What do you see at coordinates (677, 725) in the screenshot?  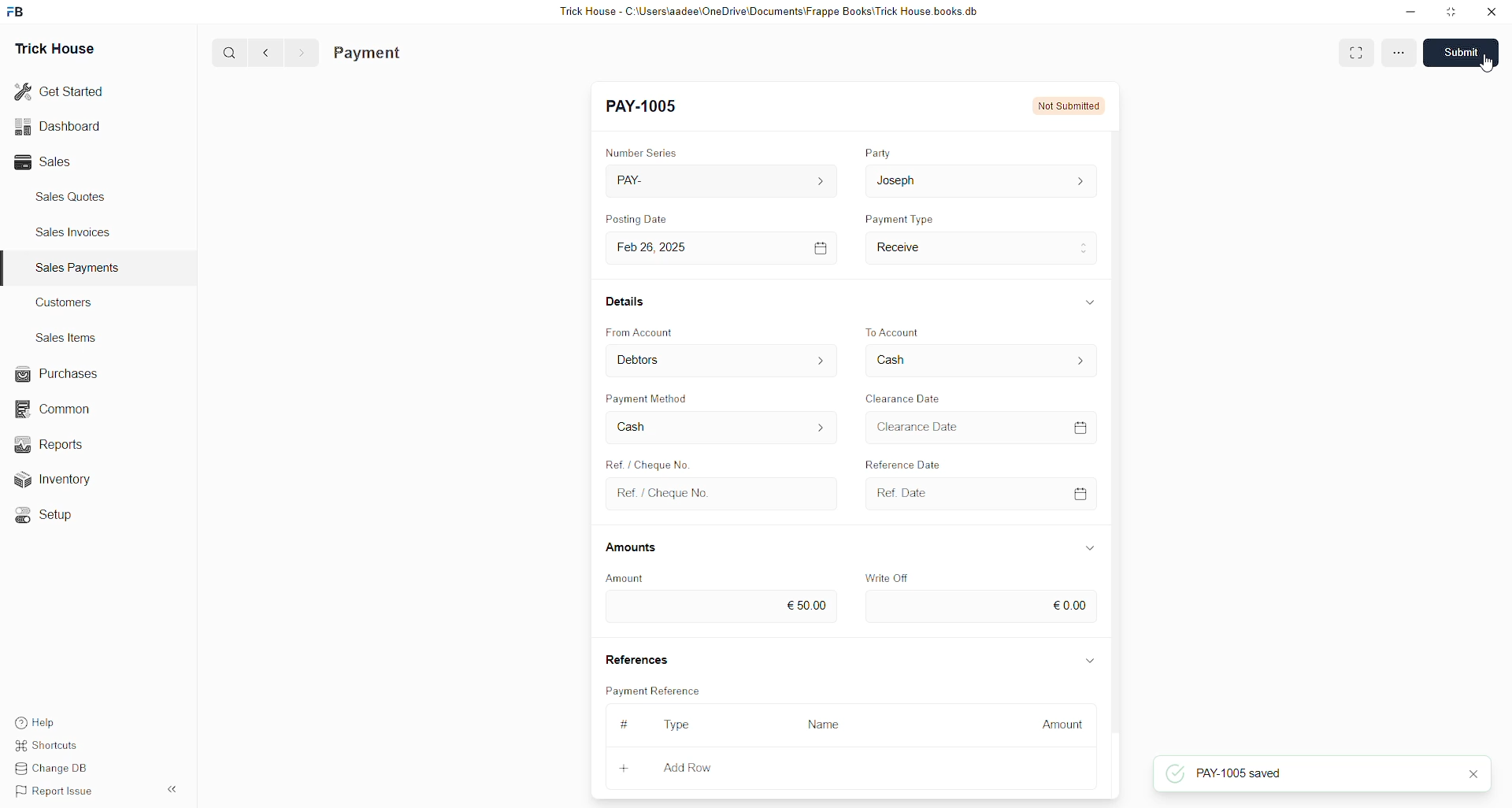 I see `Type` at bounding box center [677, 725].